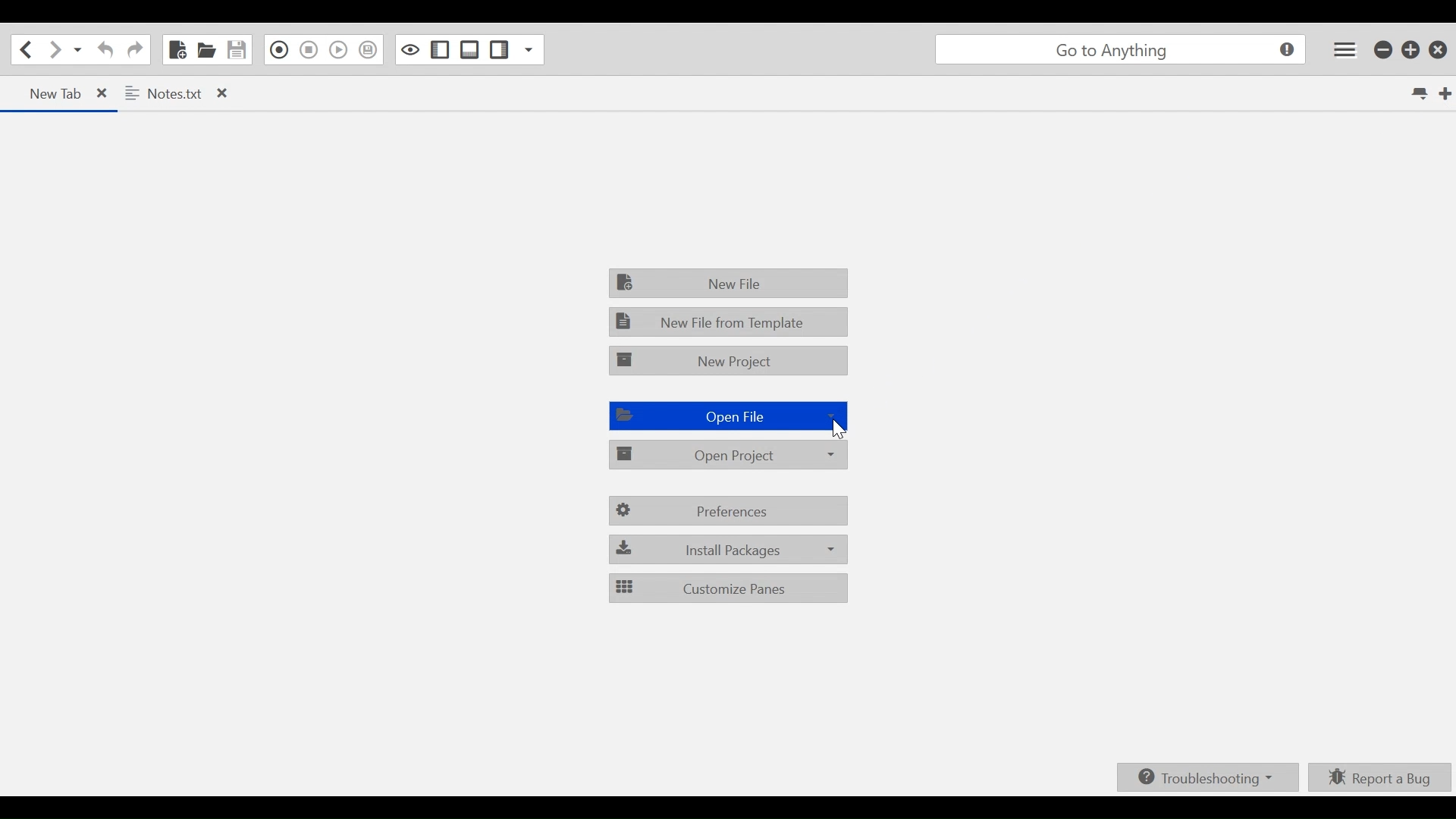 This screenshot has width=1456, height=819. Describe the element at coordinates (167, 93) in the screenshot. I see `Notes.txt` at that location.